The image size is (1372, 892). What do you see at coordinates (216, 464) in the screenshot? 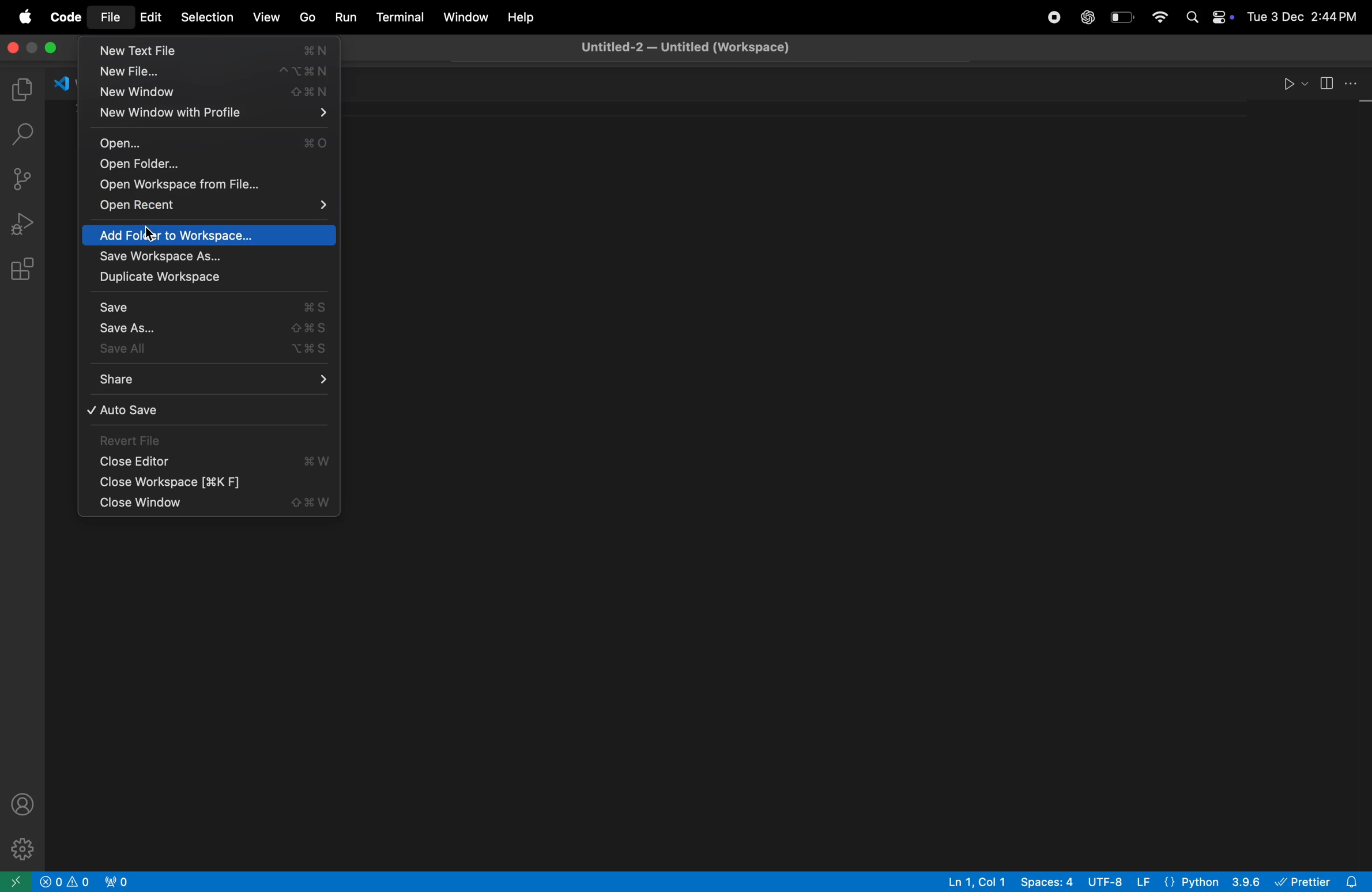
I see `close editor` at bounding box center [216, 464].